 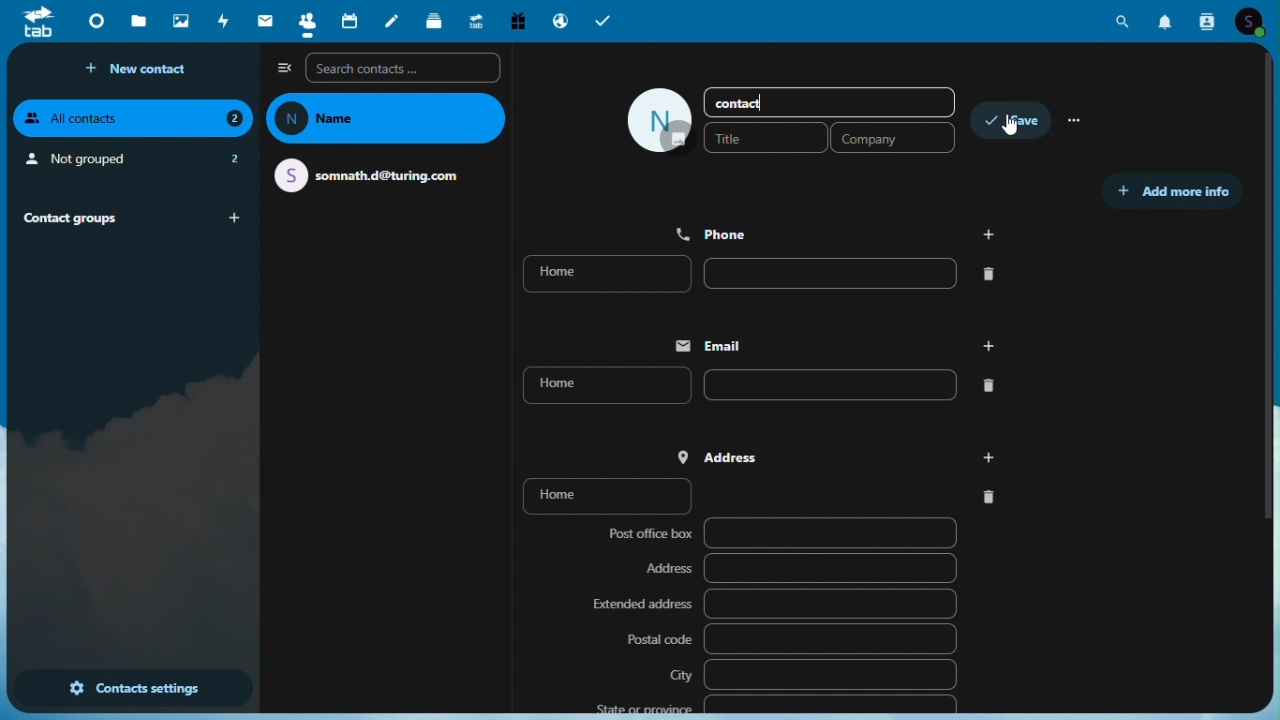 What do you see at coordinates (892, 137) in the screenshot?
I see `Company` at bounding box center [892, 137].